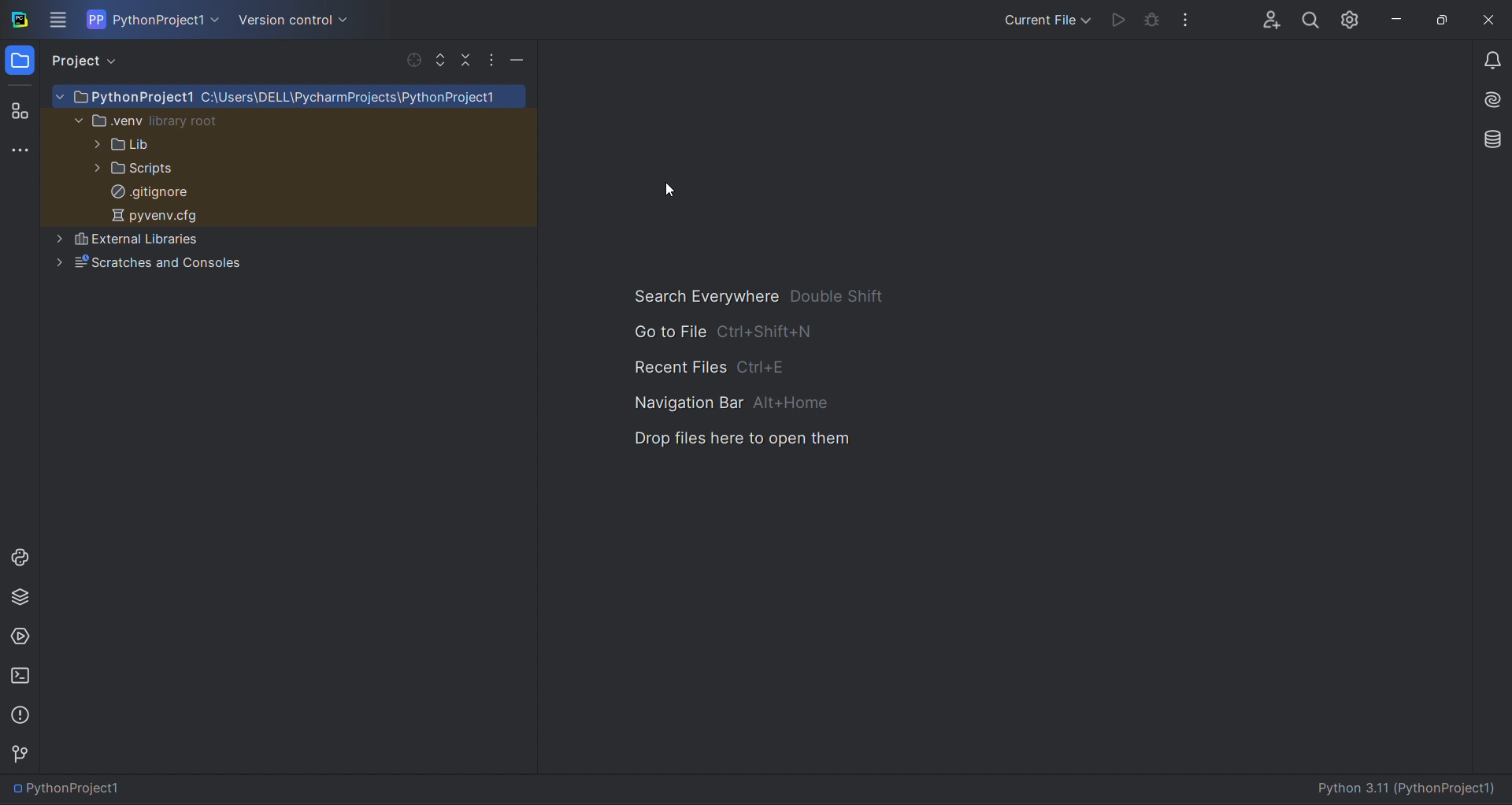 This screenshot has width=1512, height=805. I want to click on View more, so click(57, 20).